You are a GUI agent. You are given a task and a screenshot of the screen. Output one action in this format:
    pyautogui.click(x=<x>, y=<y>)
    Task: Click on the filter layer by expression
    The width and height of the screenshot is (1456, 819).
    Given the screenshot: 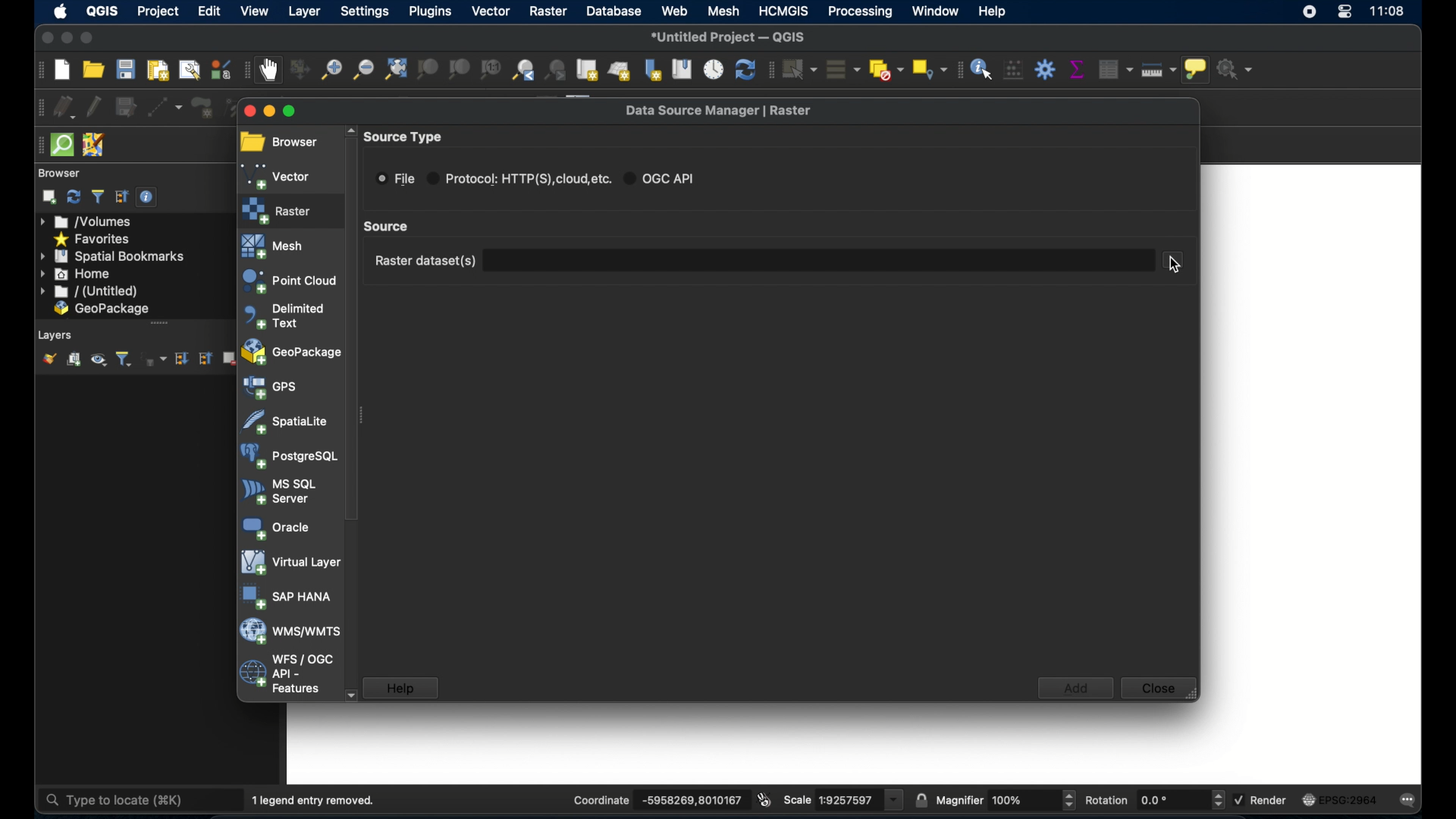 What is the action you would take?
    pyautogui.click(x=154, y=359)
    